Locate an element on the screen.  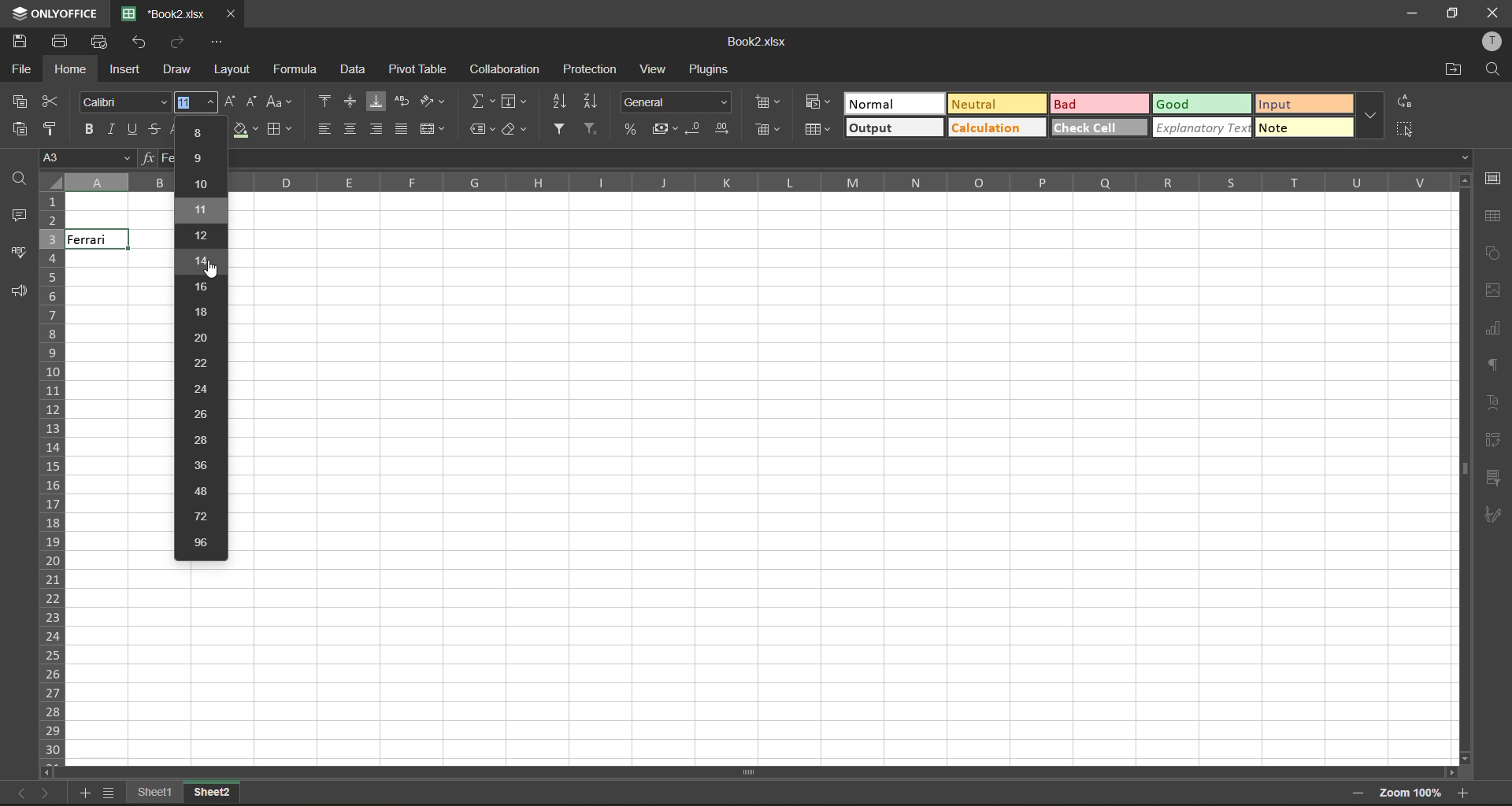
sheet list is located at coordinates (109, 794).